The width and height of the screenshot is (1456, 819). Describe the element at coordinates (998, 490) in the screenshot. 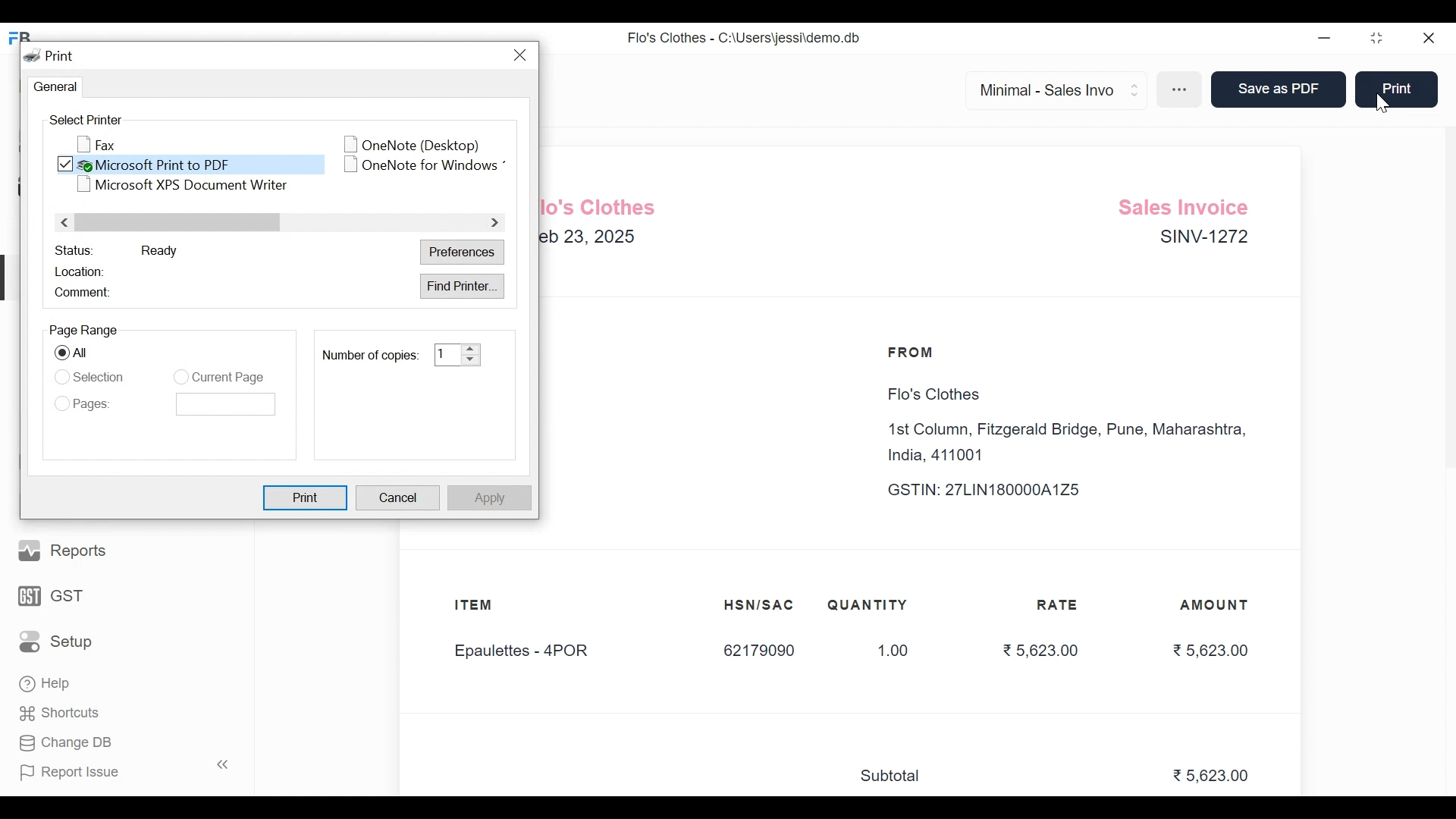

I see `GSTIN: 27LIN180000A1Z5` at that location.